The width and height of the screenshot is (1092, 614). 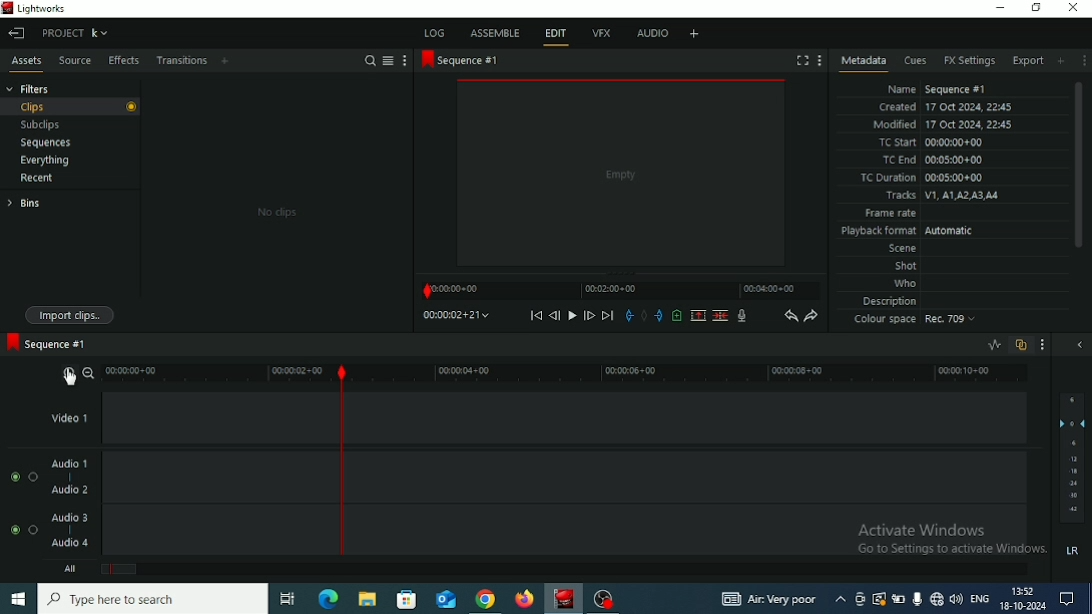 I want to click on Air quality, so click(x=769, y=600).